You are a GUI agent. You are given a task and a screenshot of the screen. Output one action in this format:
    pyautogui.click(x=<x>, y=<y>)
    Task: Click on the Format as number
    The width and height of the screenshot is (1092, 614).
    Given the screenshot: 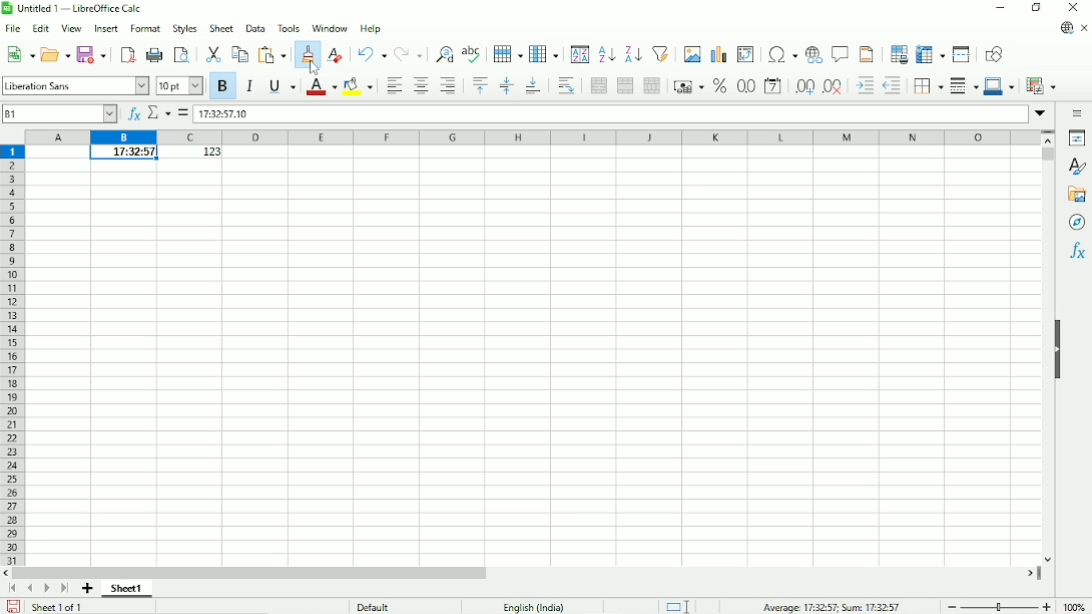 What is the action you would take?
    pyautogui.click(x=746, y=87)
    